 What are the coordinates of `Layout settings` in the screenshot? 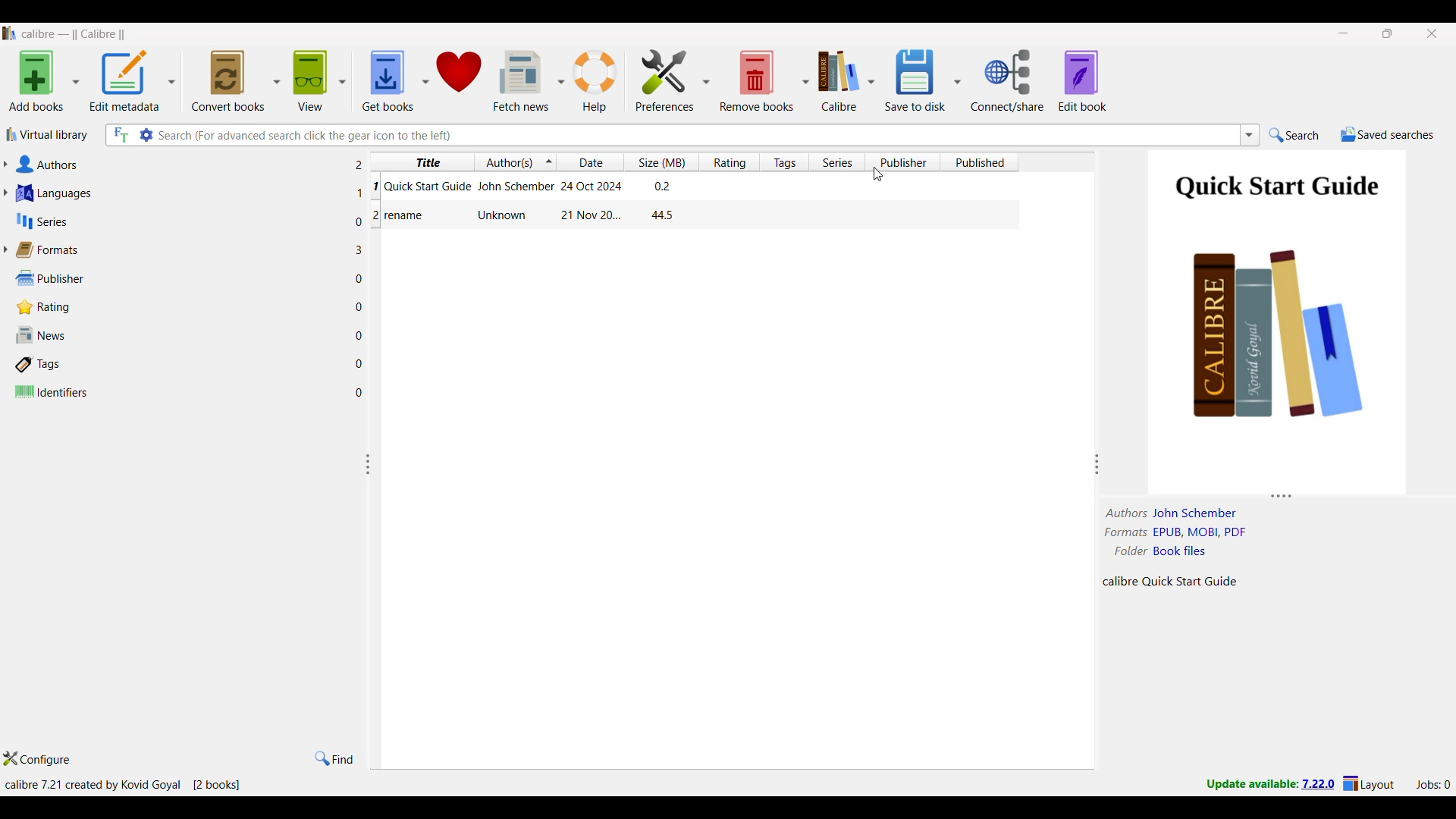 It's located at (1369, 783).